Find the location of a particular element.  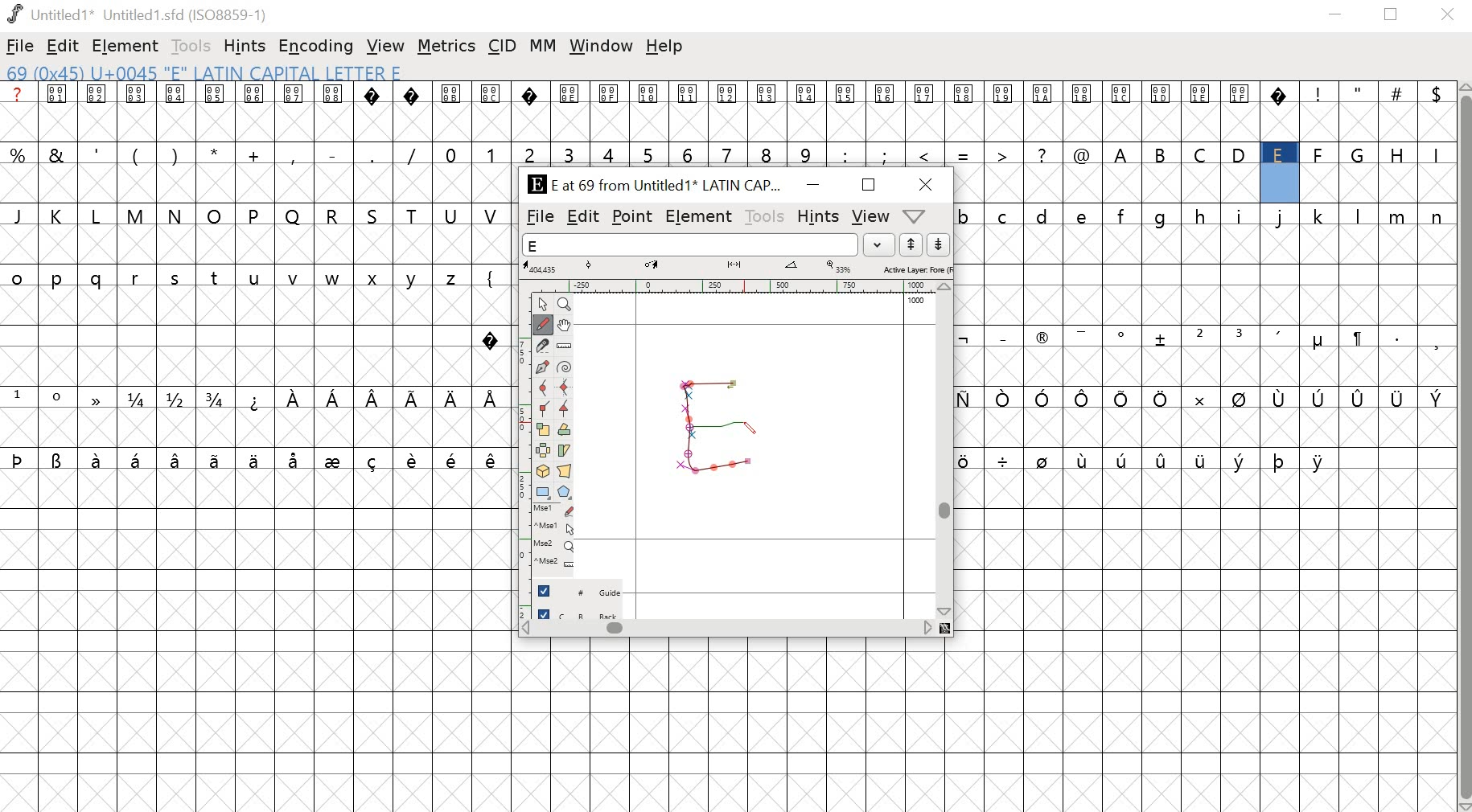

dropdown menu is located at coordinates (921, 215).